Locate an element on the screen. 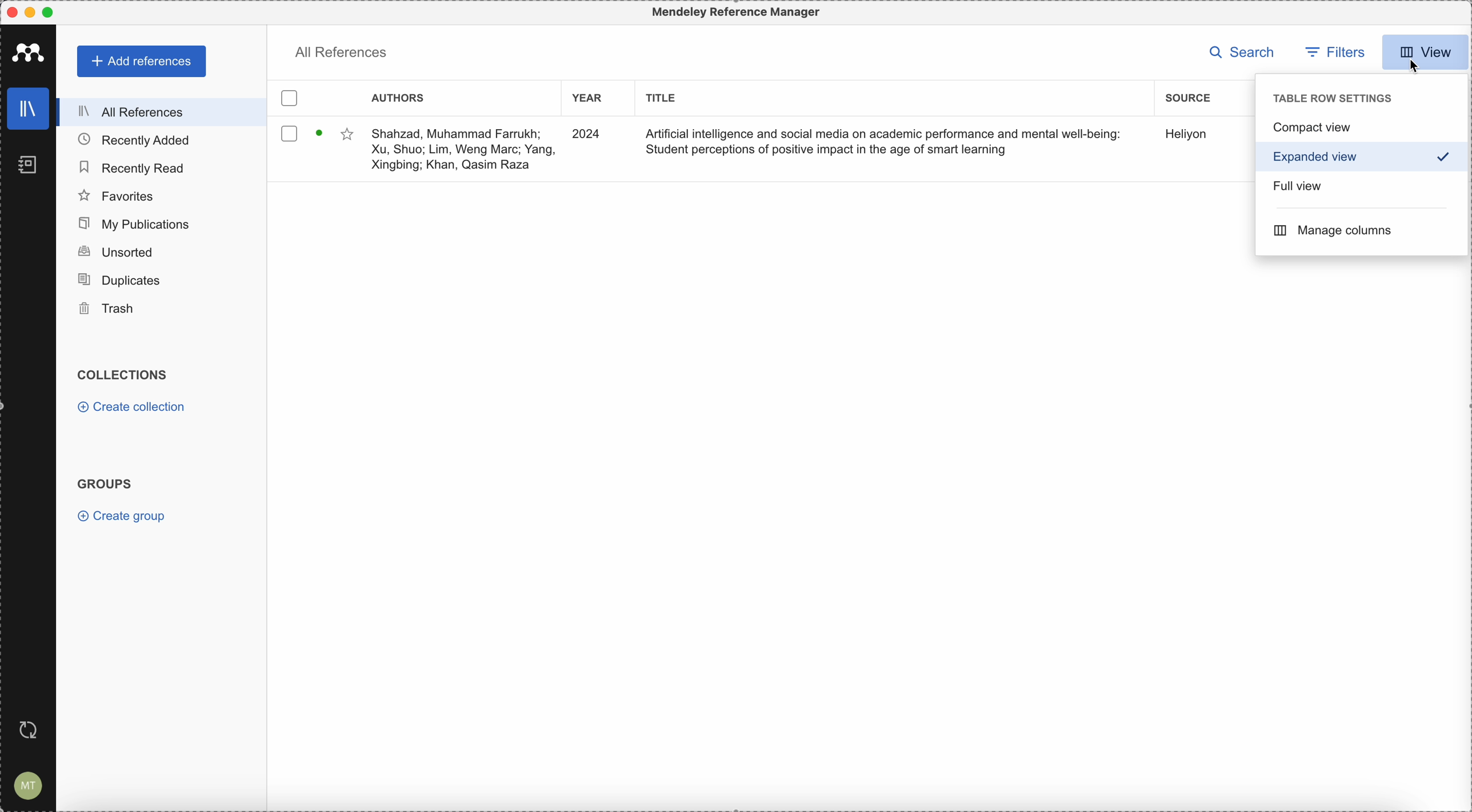 The image size is (1472, 812). expanded view selected is located at coordinates (1365, 158).